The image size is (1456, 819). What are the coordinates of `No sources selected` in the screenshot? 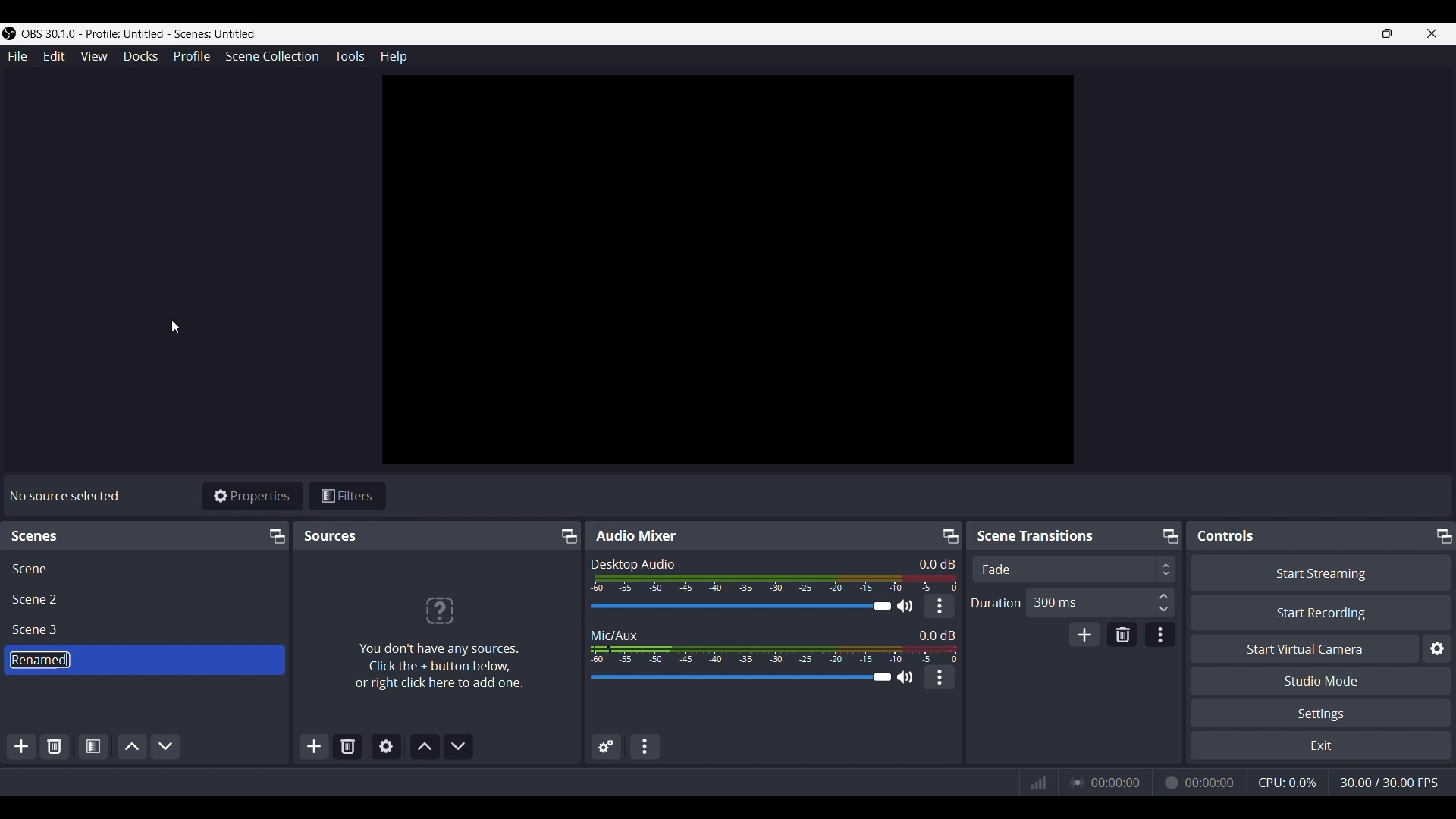 It's located at (63, 496).